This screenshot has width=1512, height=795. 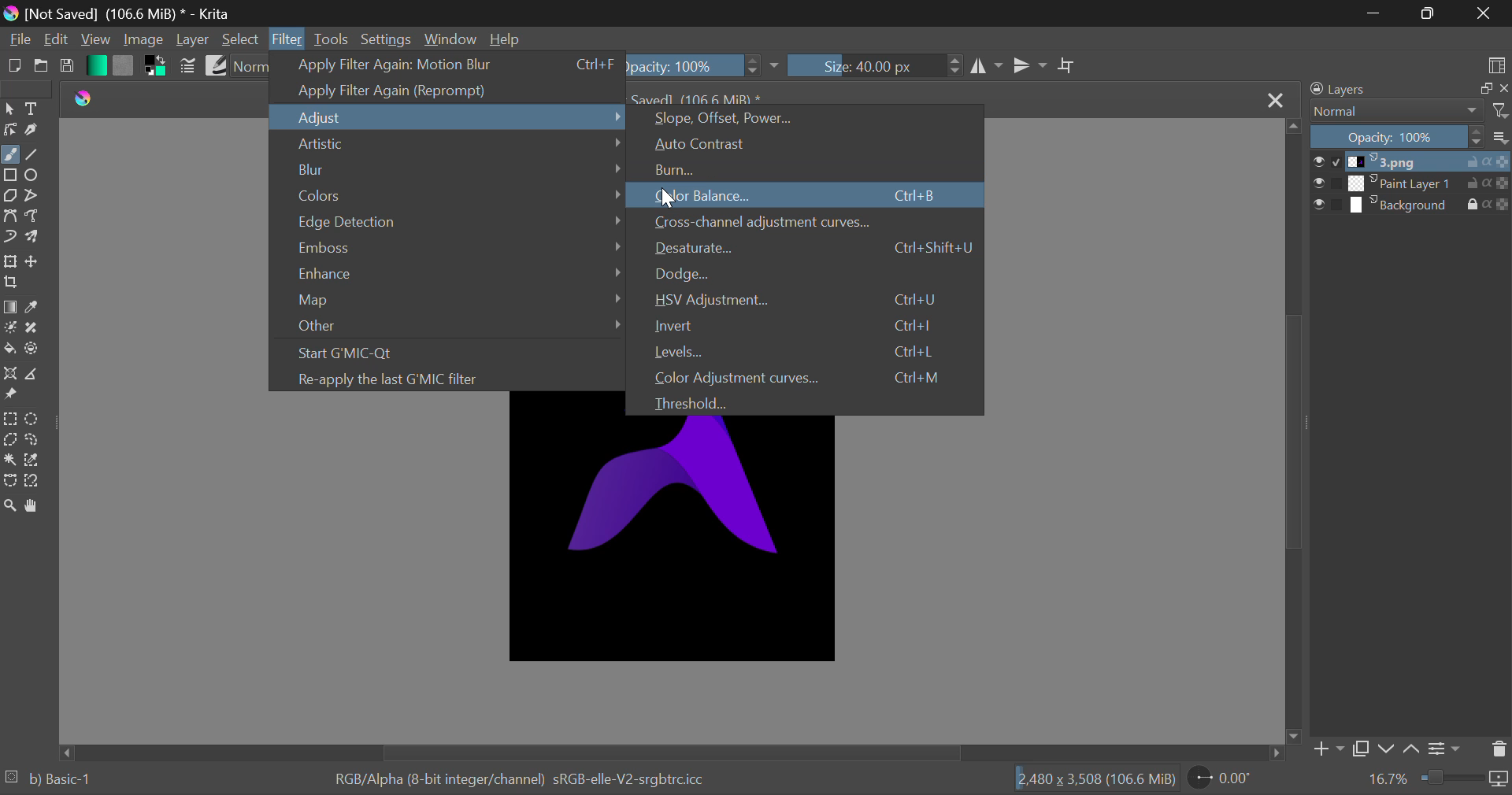 I want to click on Levels, so click(x=812, y=350).